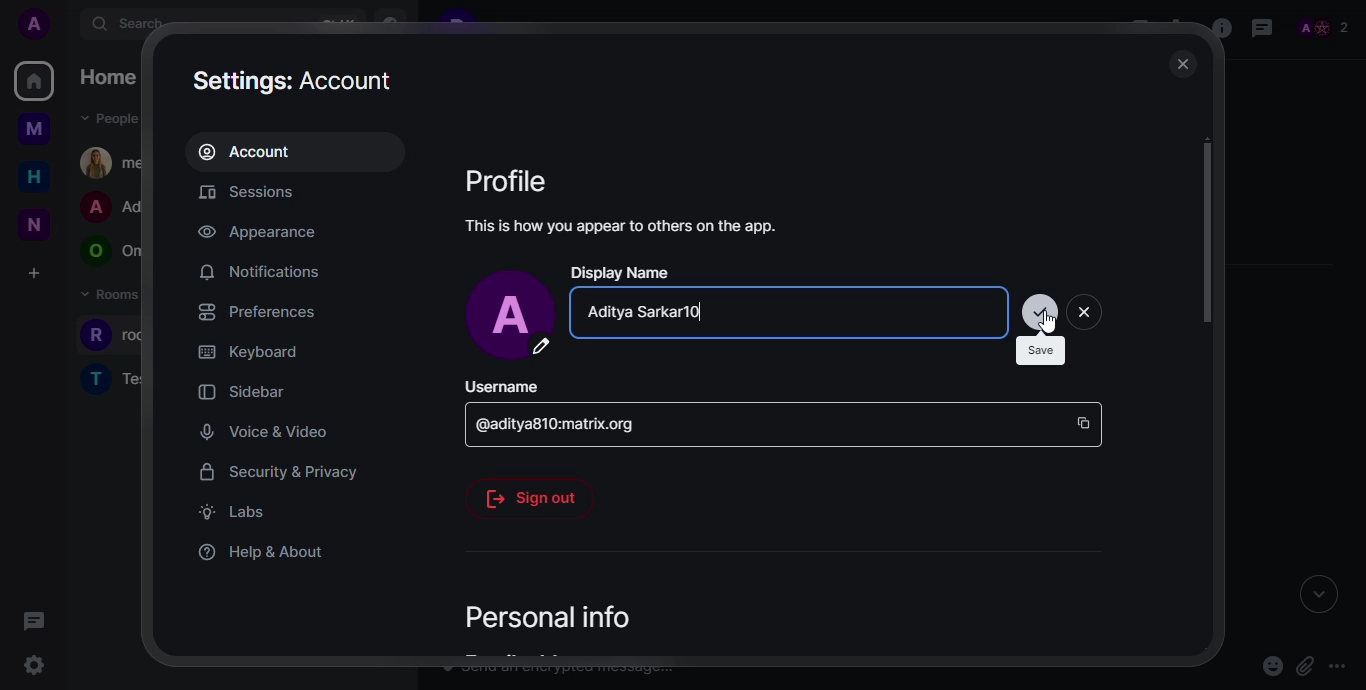  I want to click on , so click(1052, 326).